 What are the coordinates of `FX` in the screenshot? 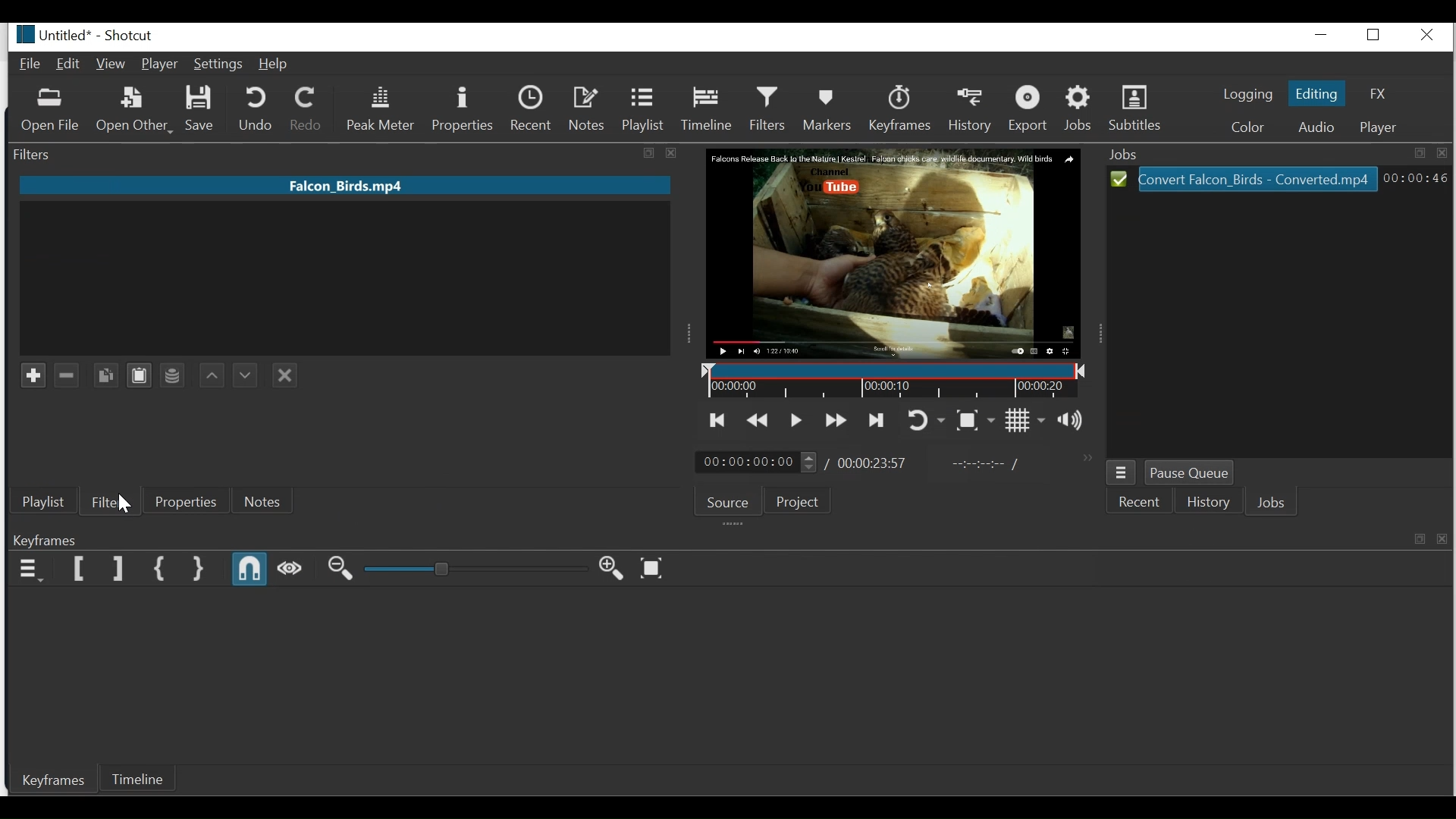 It's located at (1376, 95).